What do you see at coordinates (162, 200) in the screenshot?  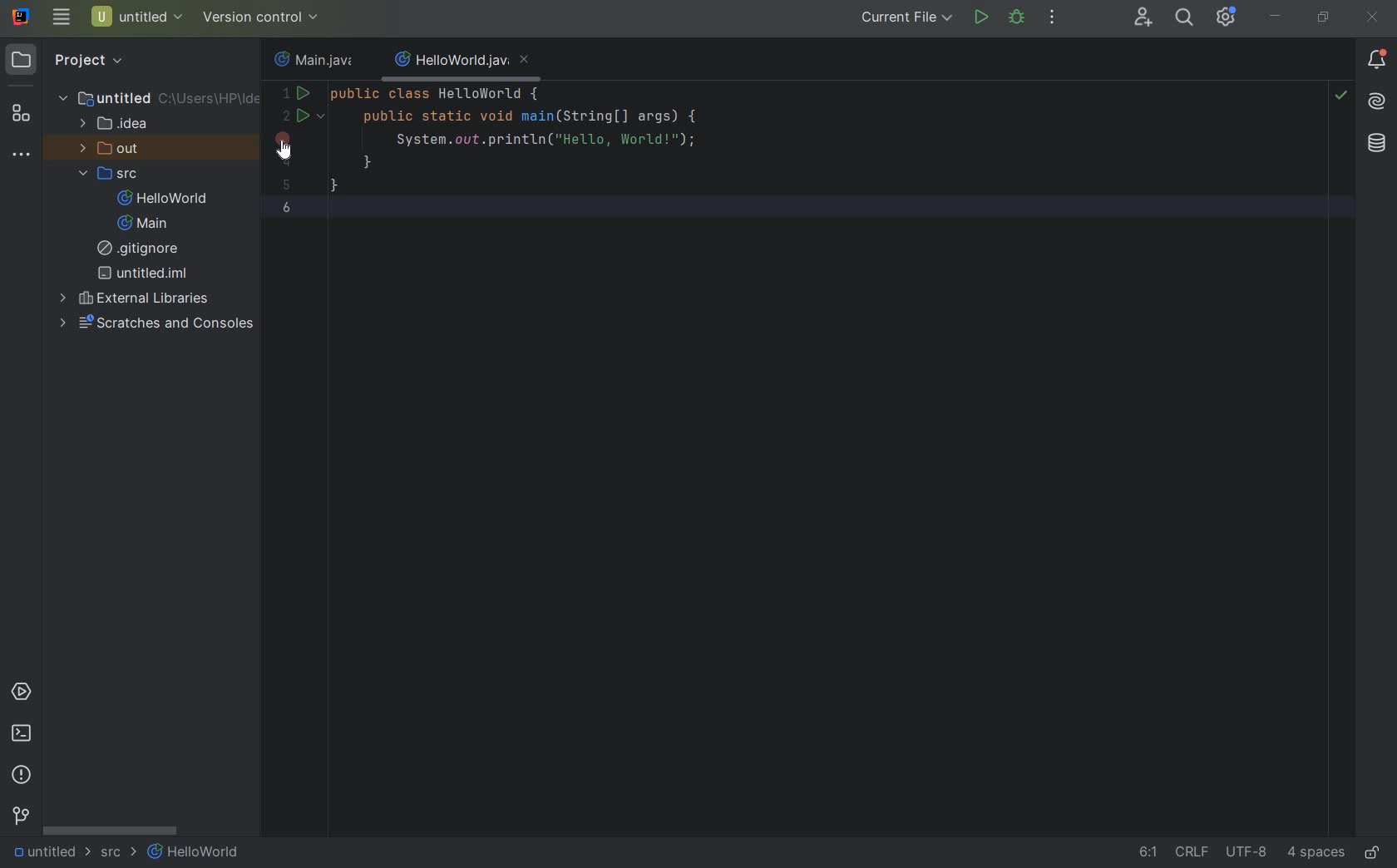 I see `helloworld` at bounding box center [162, 200].